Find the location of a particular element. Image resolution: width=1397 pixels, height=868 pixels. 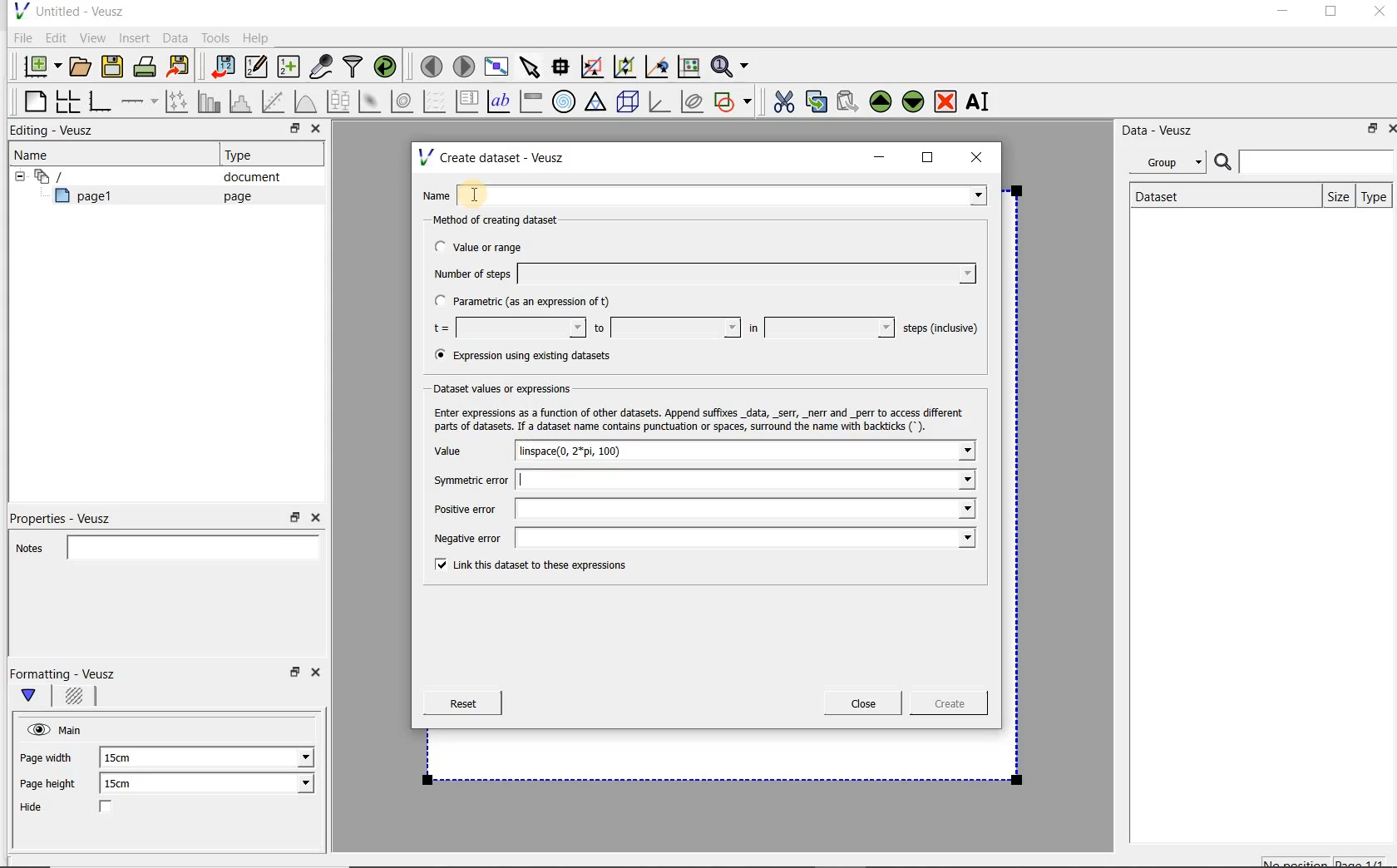

histogram of a dataset is located at coordinates (243, 101).